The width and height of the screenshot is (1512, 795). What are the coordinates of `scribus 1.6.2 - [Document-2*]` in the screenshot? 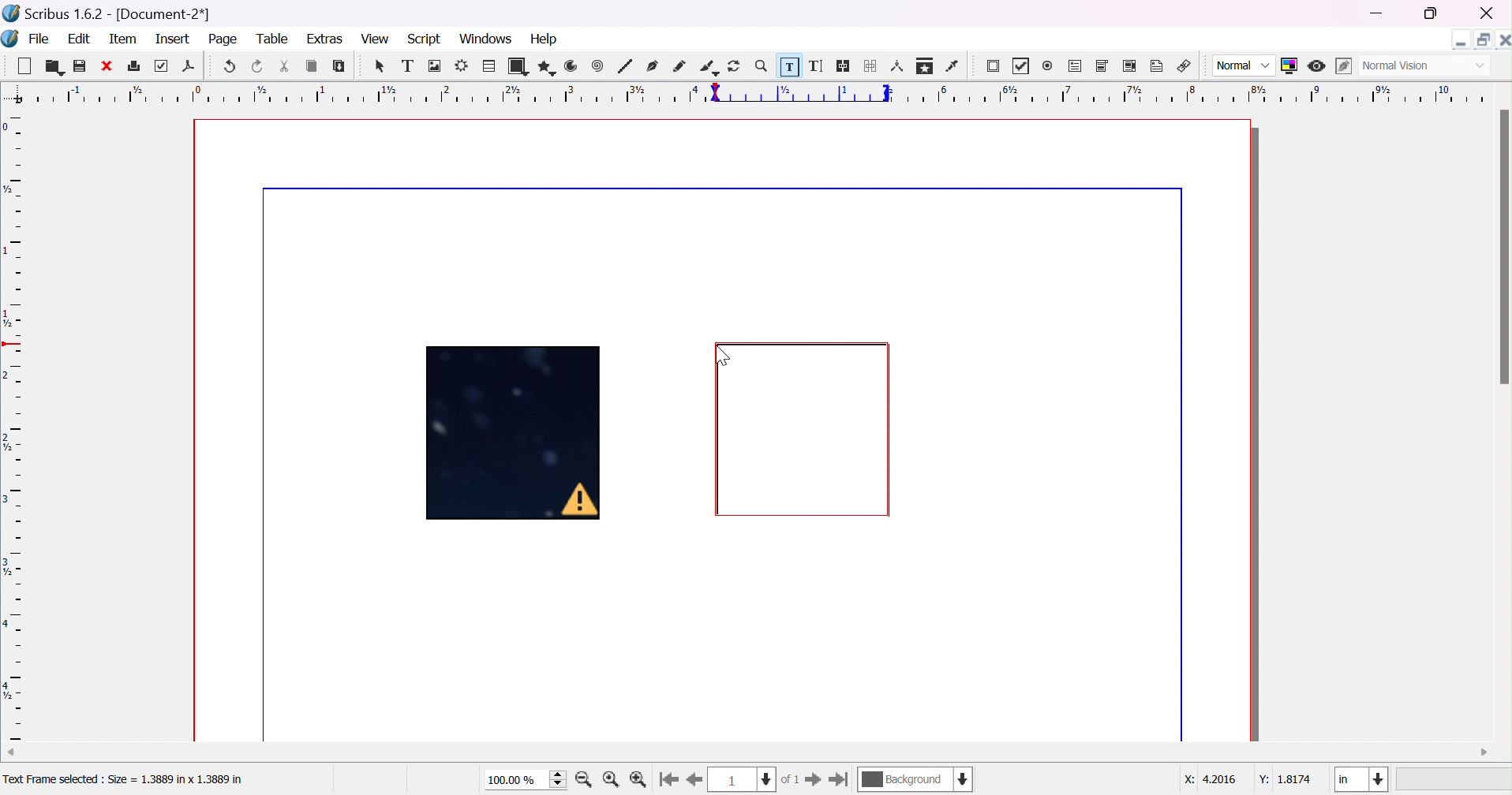 It's located at (108, 14).